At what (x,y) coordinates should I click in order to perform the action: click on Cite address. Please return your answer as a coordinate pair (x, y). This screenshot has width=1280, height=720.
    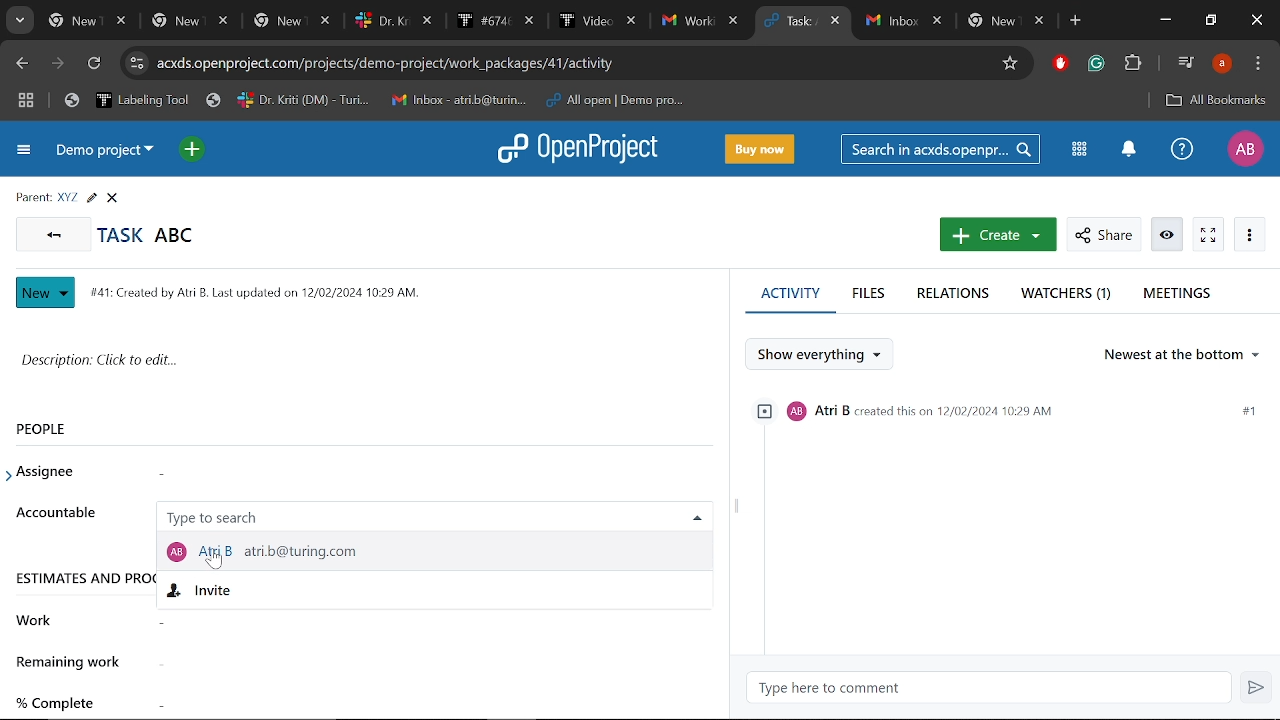
    Looking at the image, I should click on (573, 63).